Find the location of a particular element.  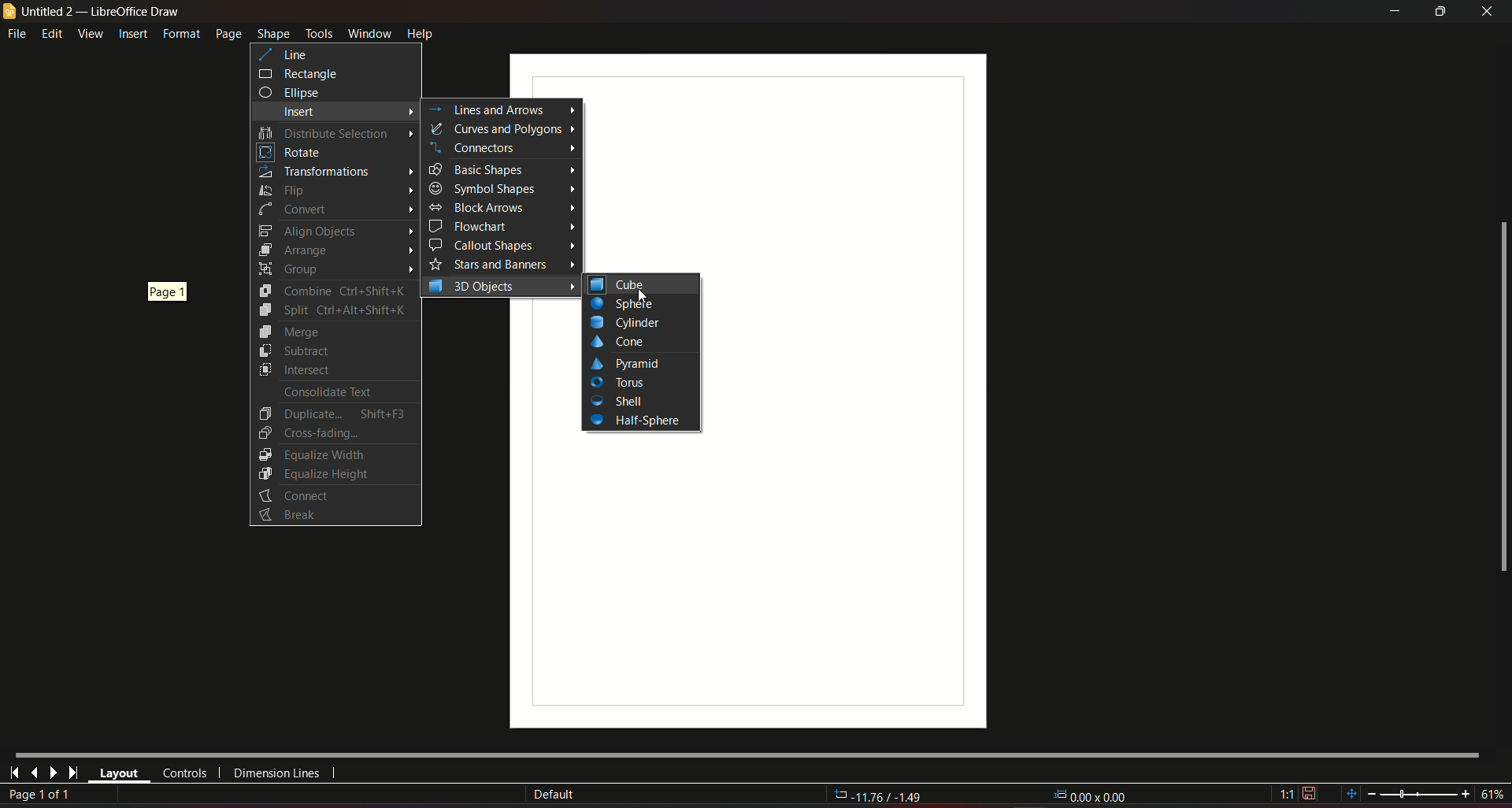

Equalize Width is located at coordinates (315, 453).